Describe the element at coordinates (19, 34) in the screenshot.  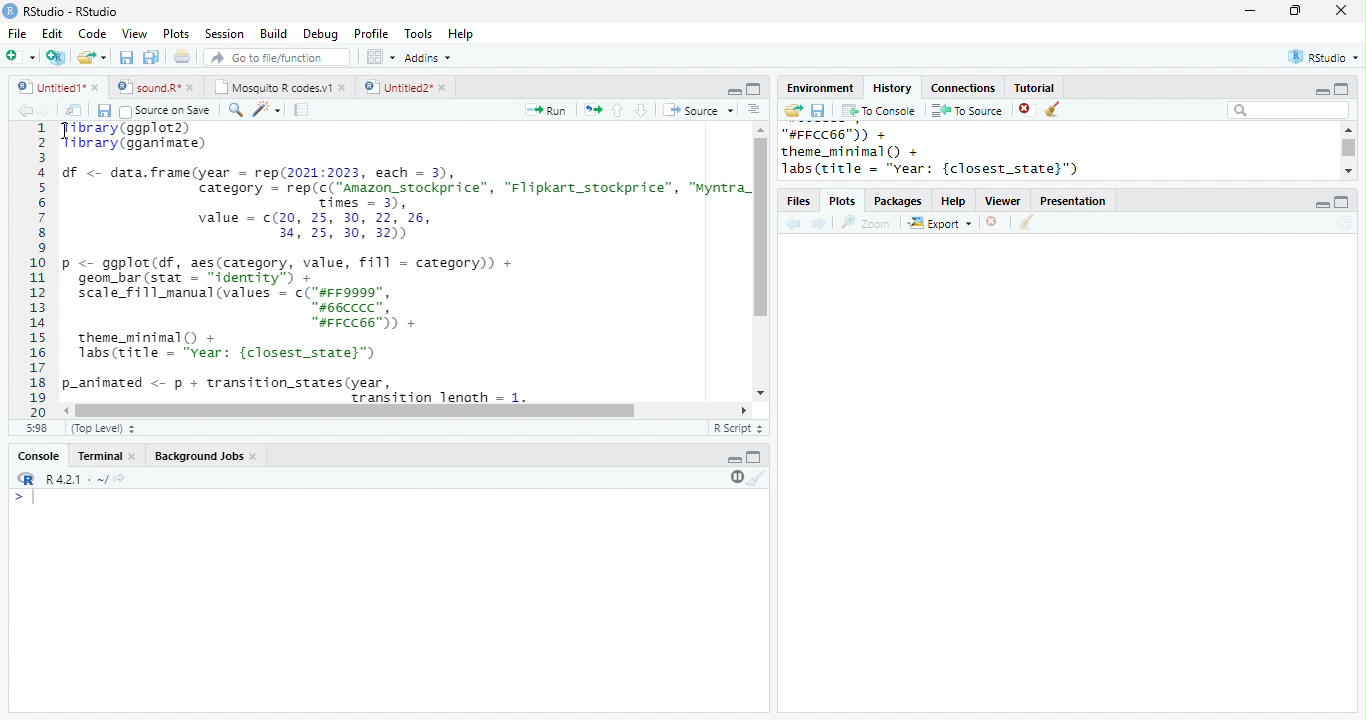
I see `File` at that location.